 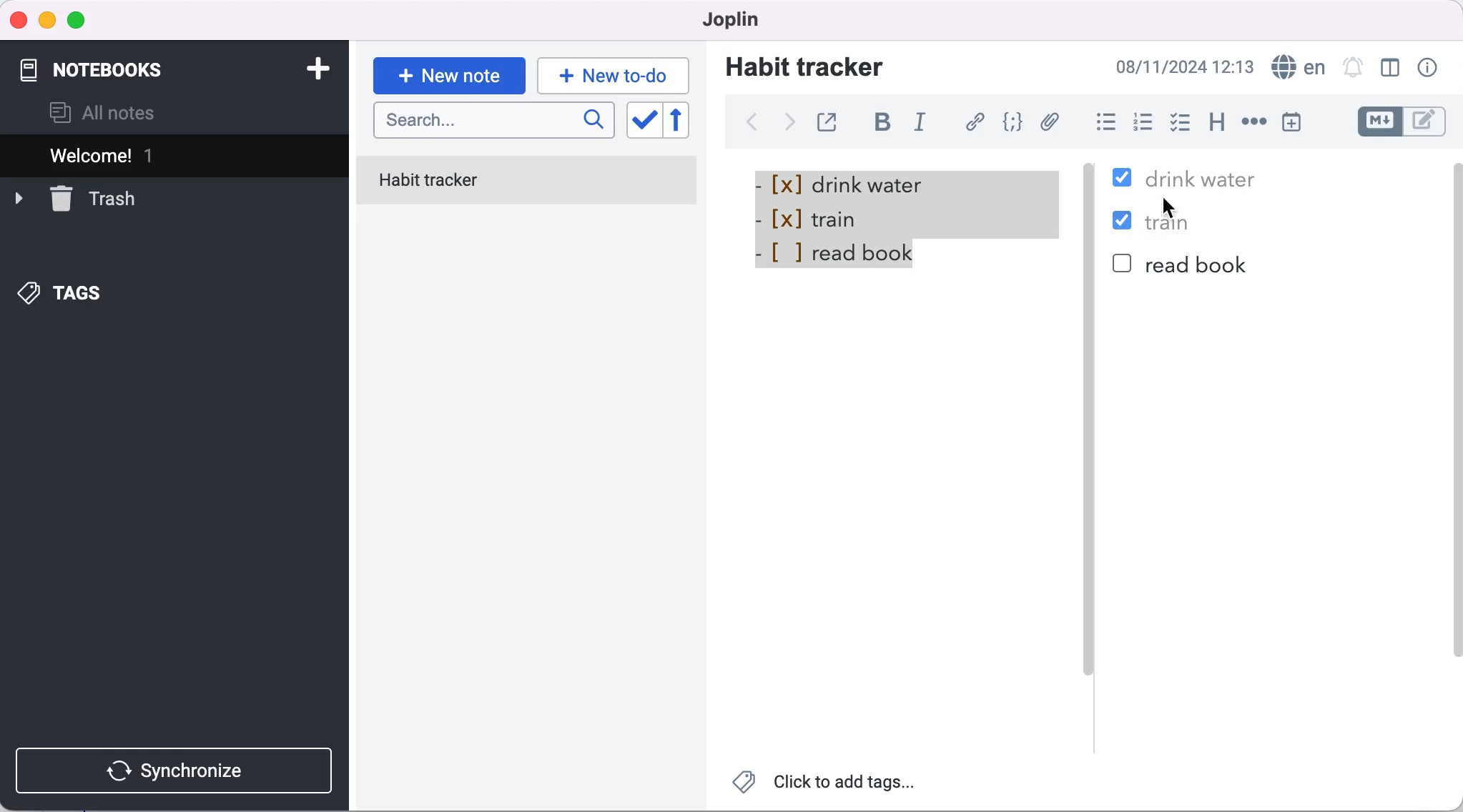 What do you see at coordinates (1125, 223) in the screenshot?
I see `box 2 selected` at bounding box center [1125, 223].